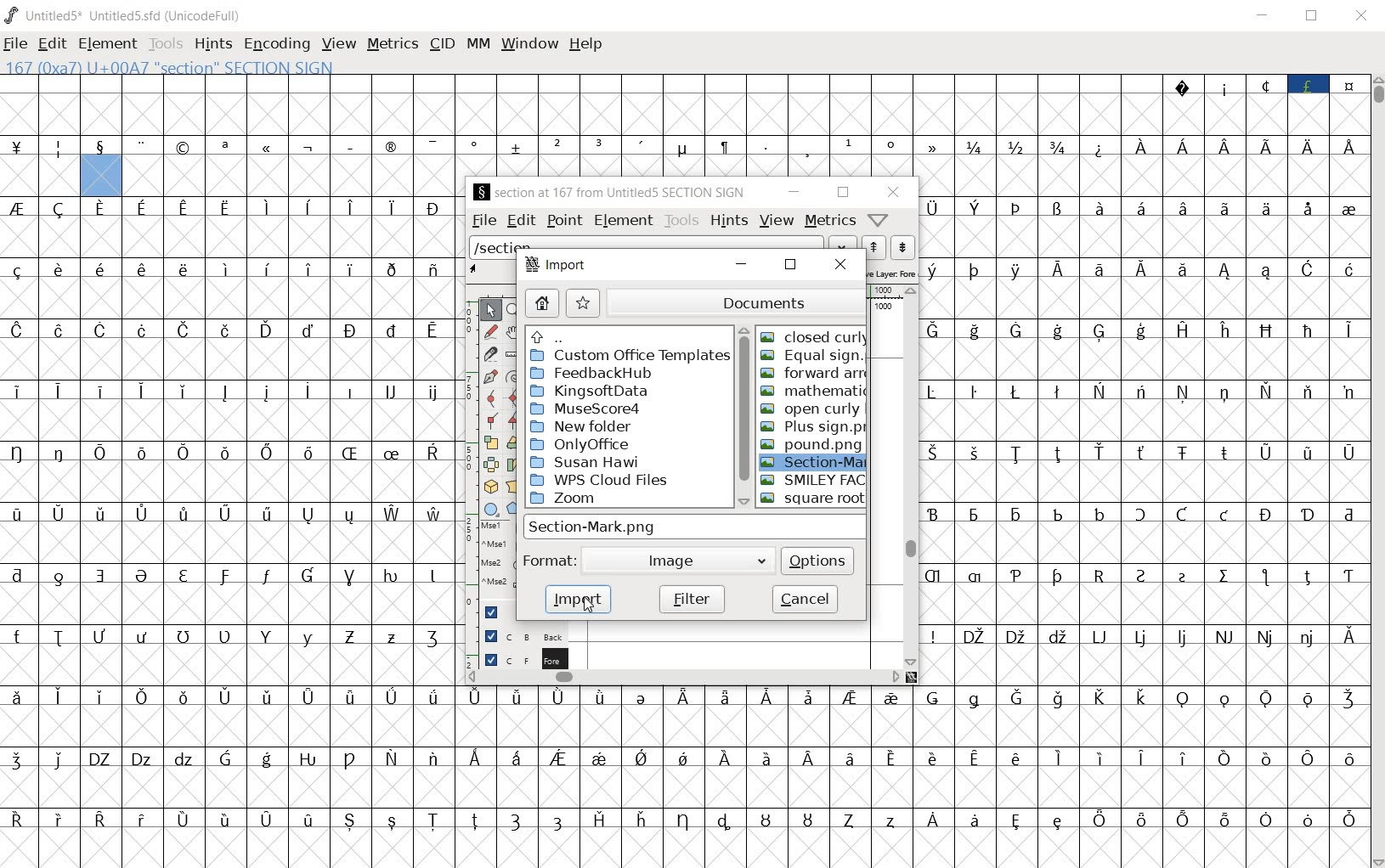 This screenshot has width=1385, height=868. What do you see at coordinates (235, 330) in the screenshot?
I see `special letters` at bounding box center [235, 330].